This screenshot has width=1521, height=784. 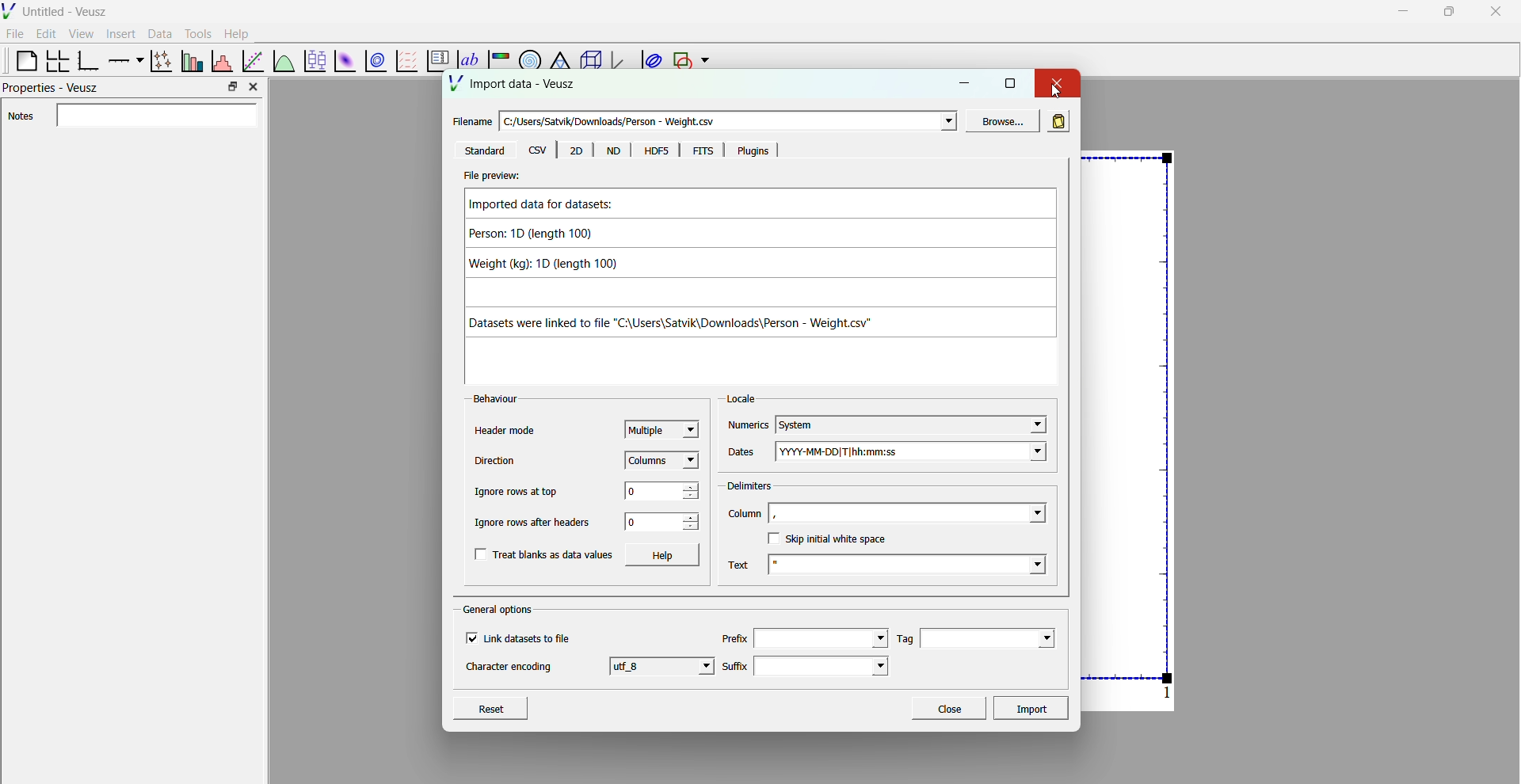 What do you see at coordinates (538, 150) in the screenshot?
I see `csv` at bounding box center [538, 150].